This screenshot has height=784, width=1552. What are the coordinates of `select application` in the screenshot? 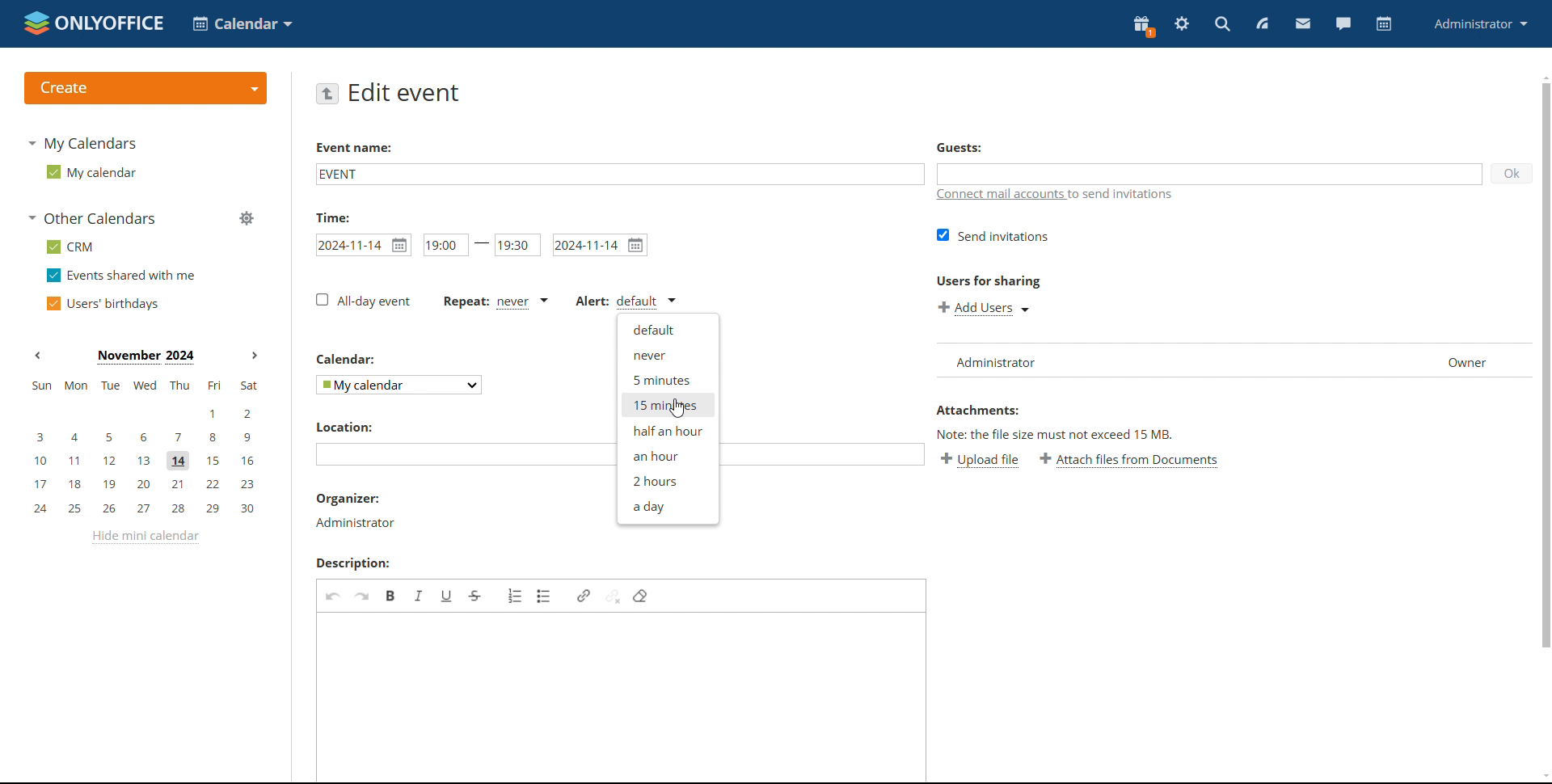 It's located at (244, 23).